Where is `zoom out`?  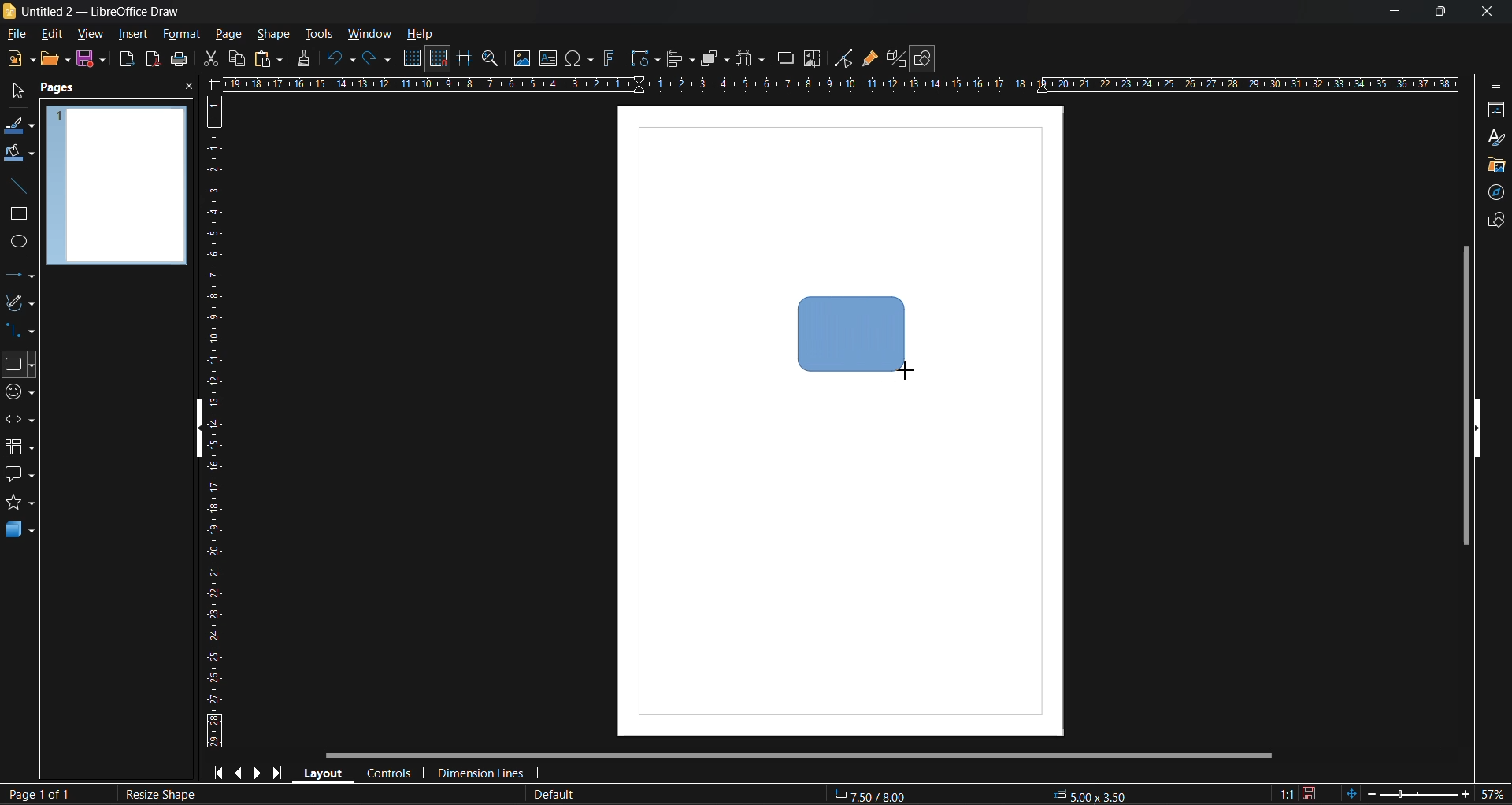 zoom out is located at coordinates (1369, 792).